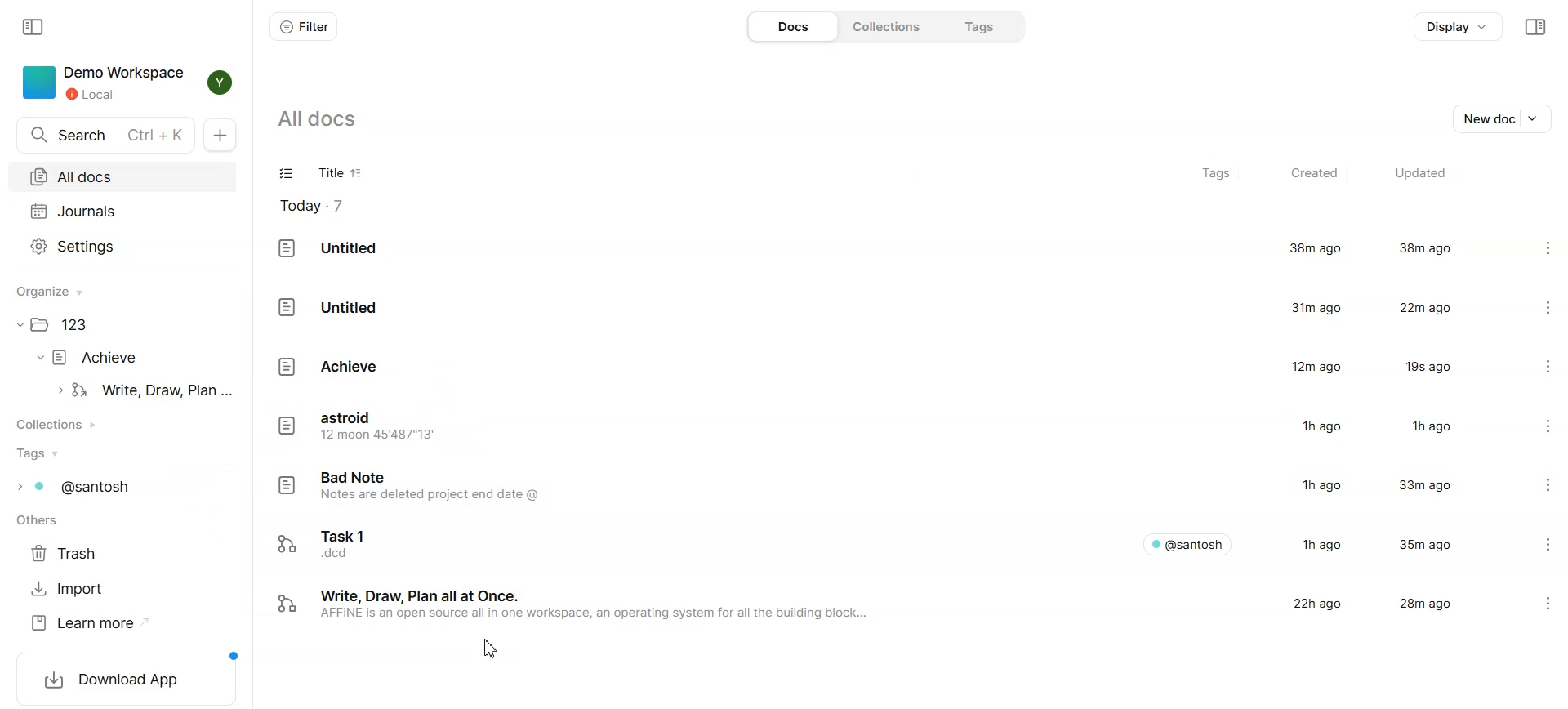  What do you see at coordinates (326, 175) in the screenshot?
I see `Title` at bounding box center [326, 175].